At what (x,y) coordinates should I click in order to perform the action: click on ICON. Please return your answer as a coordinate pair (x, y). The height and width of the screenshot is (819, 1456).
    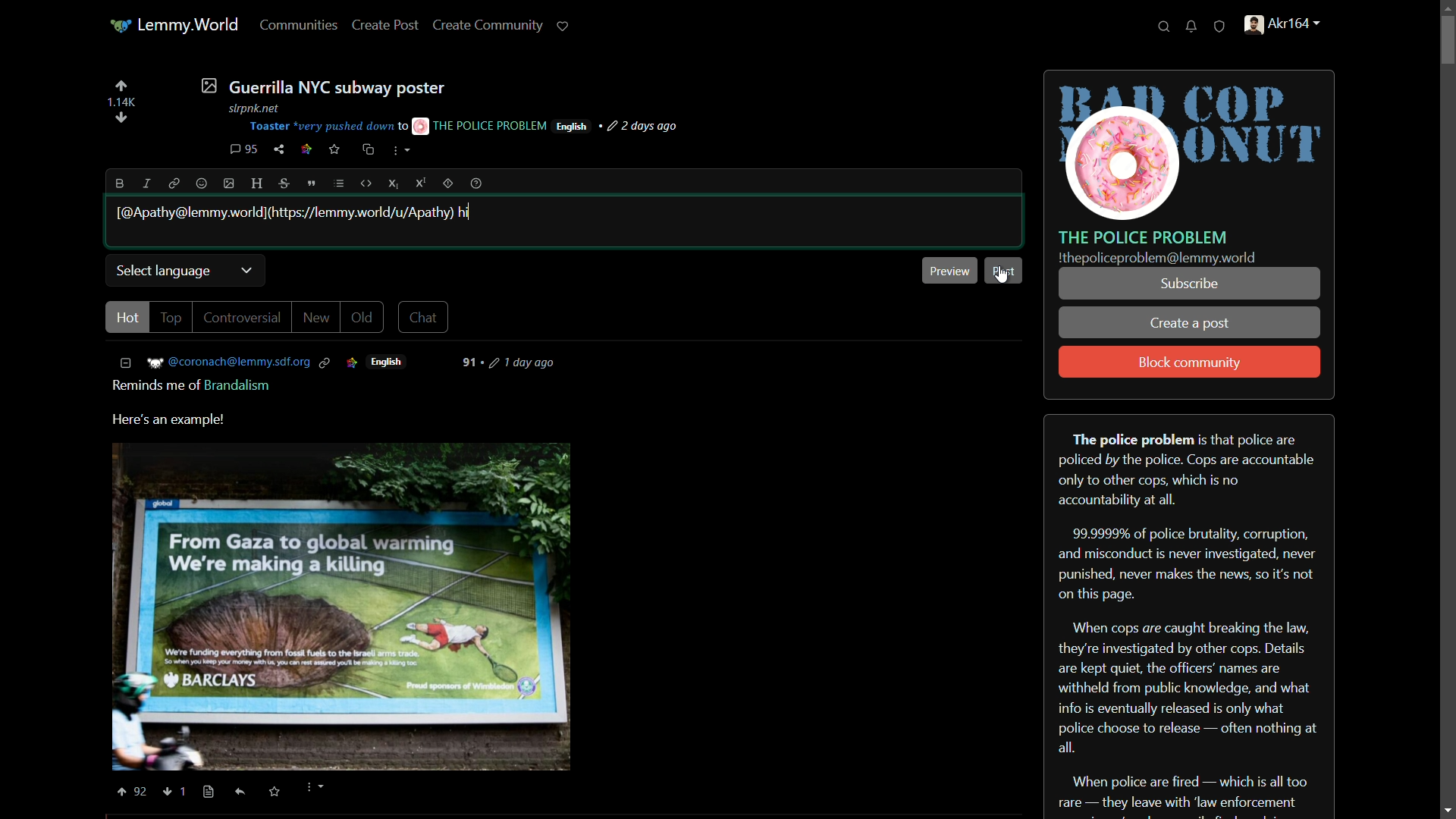
    Looking at the image, I should click on (351, 362).